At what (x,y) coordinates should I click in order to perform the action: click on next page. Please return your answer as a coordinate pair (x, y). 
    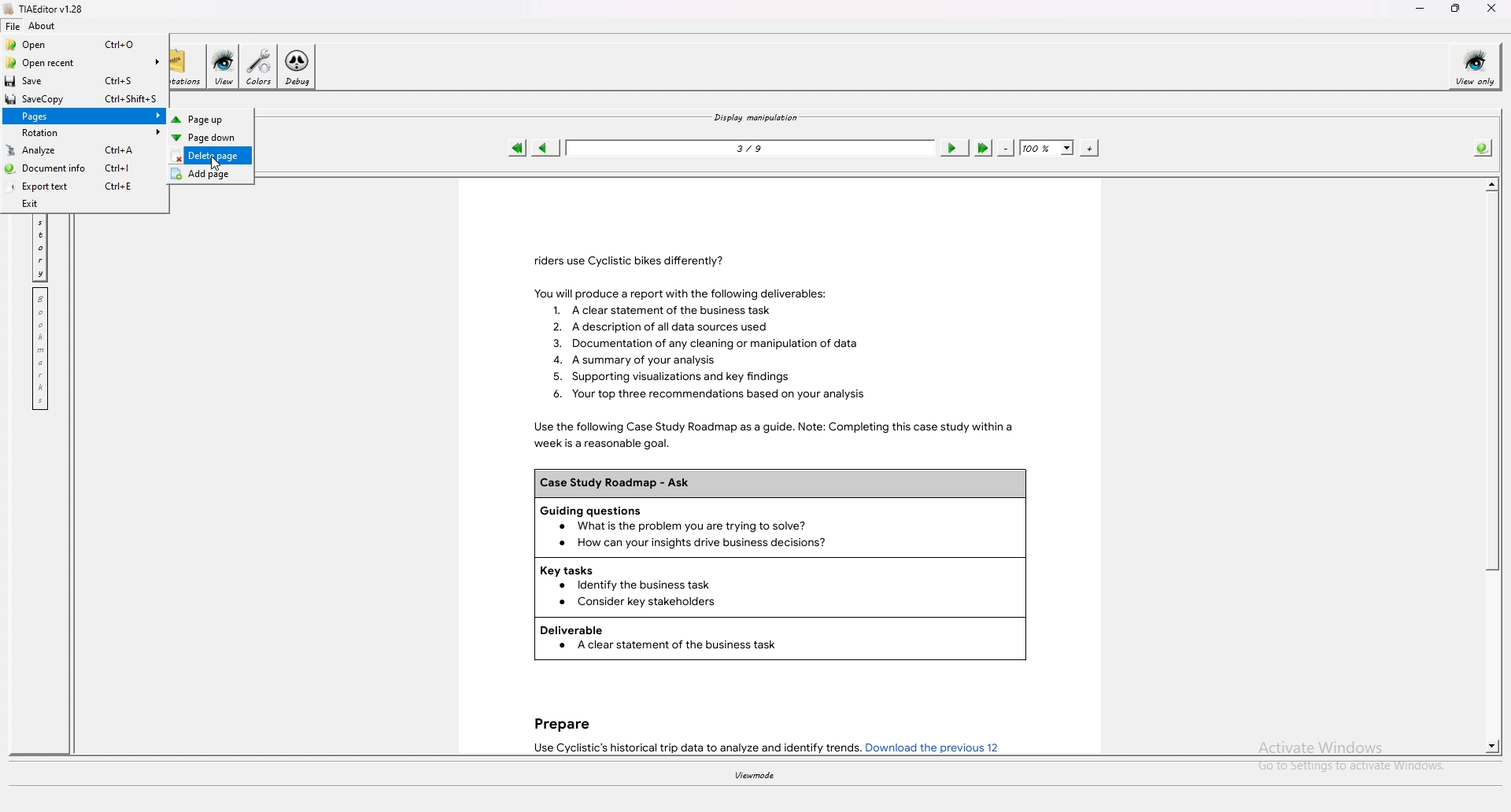
    Looking at the image, I should click on (954, 147).